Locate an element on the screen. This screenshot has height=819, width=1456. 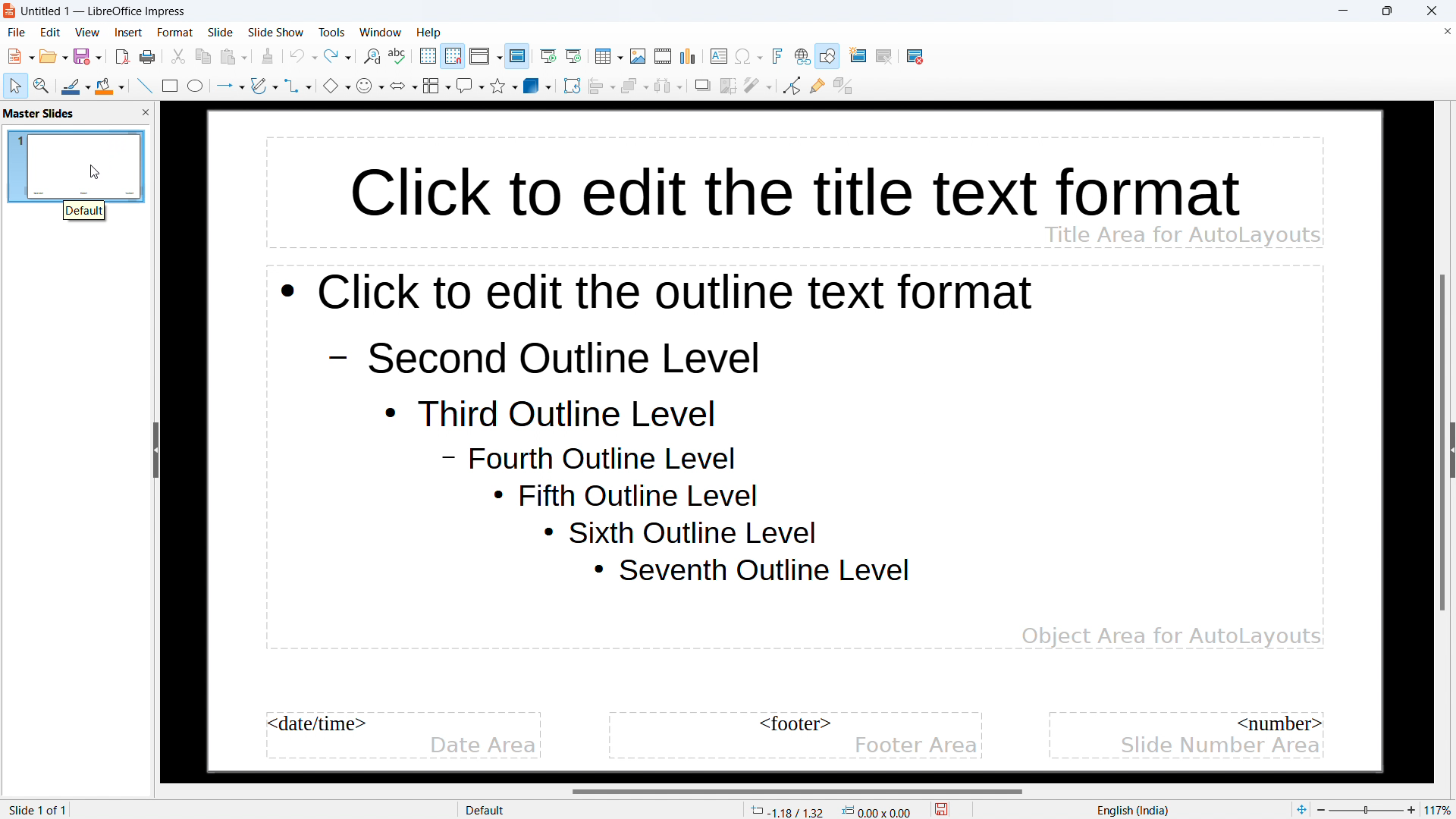
tools is located at coordinates (332, 33).